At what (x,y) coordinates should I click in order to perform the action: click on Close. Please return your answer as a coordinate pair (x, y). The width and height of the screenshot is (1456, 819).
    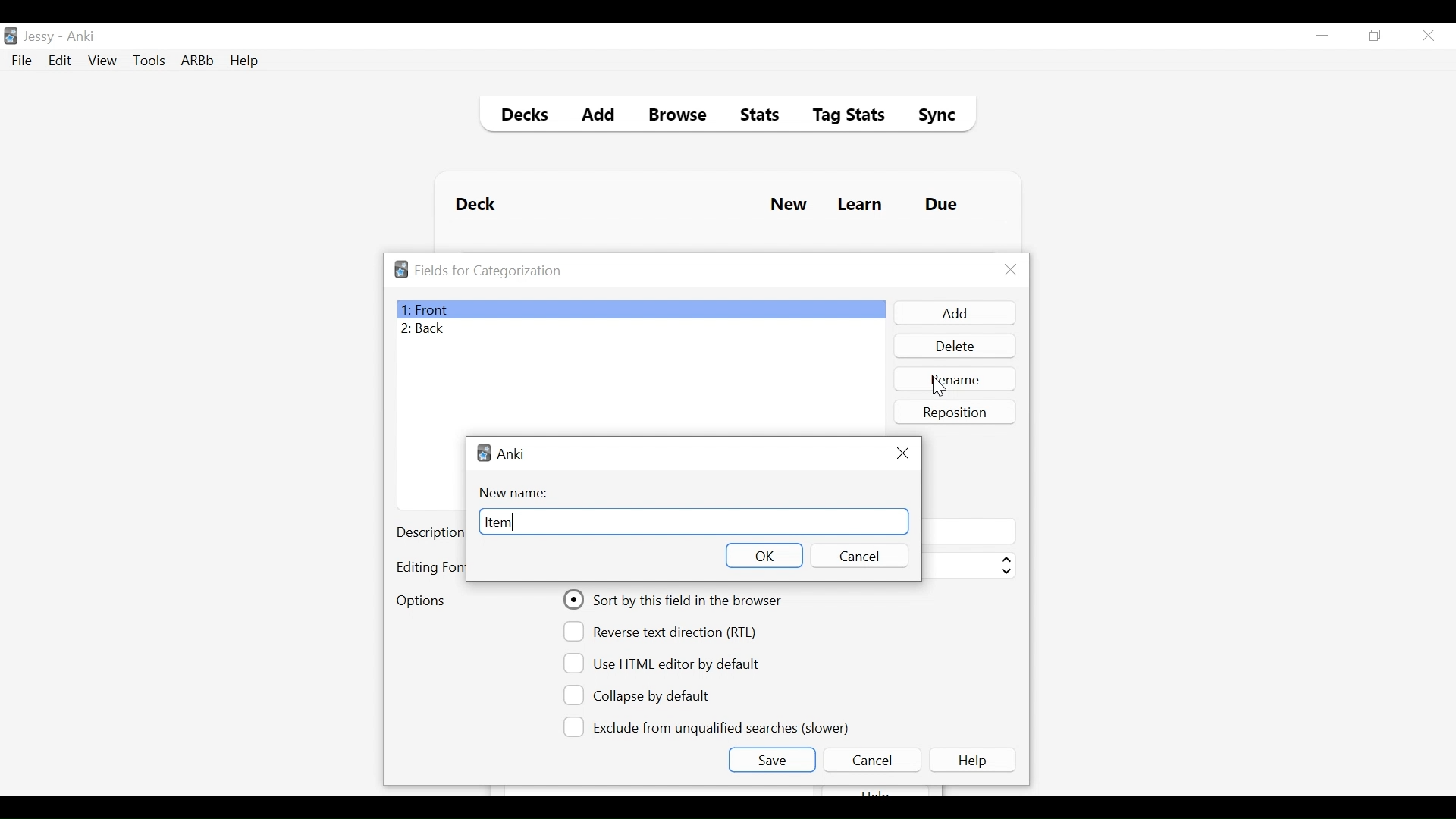
    Looking at the image, I should click on (904, 451).